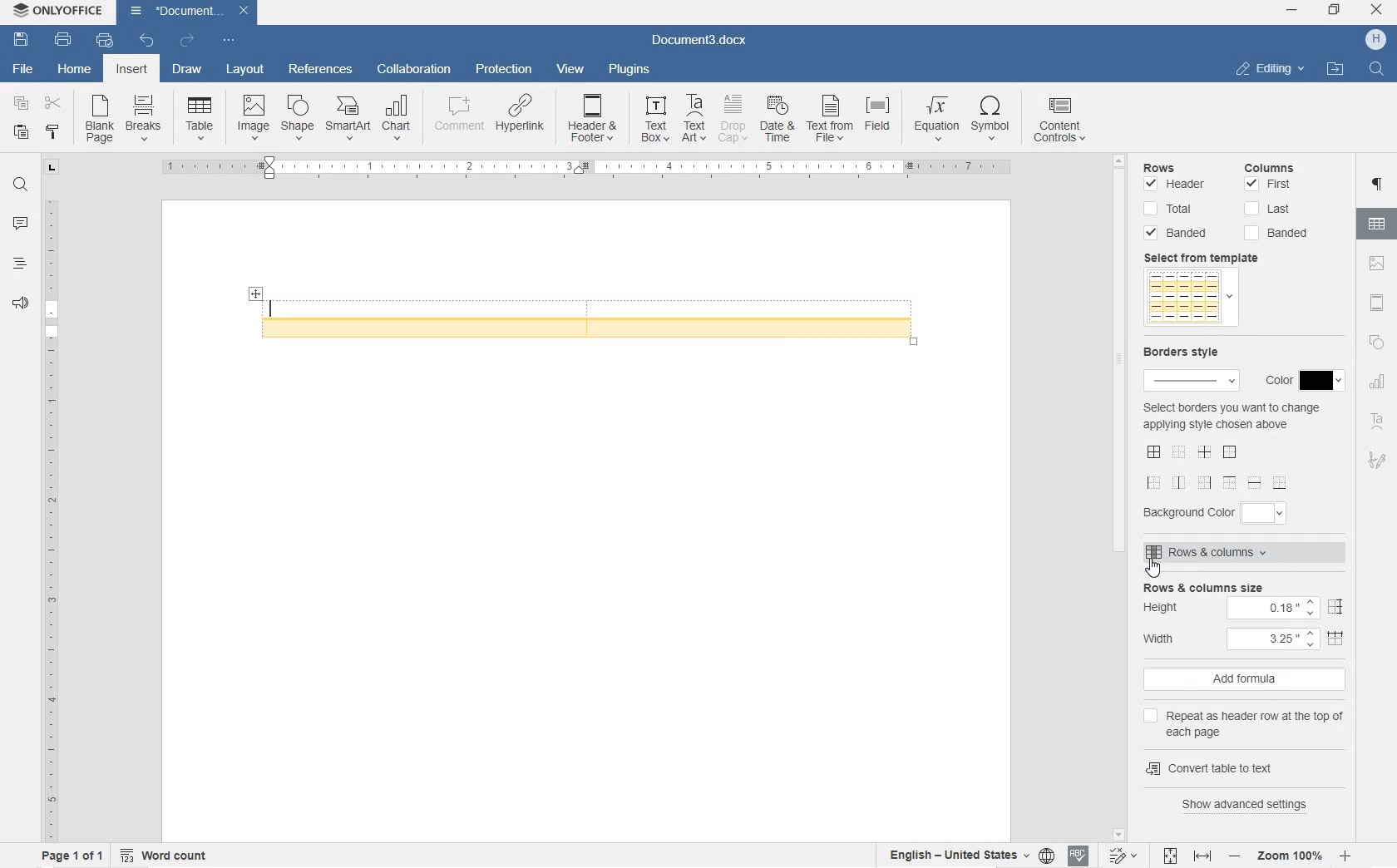  I want to click on Image, so click(254, 116).